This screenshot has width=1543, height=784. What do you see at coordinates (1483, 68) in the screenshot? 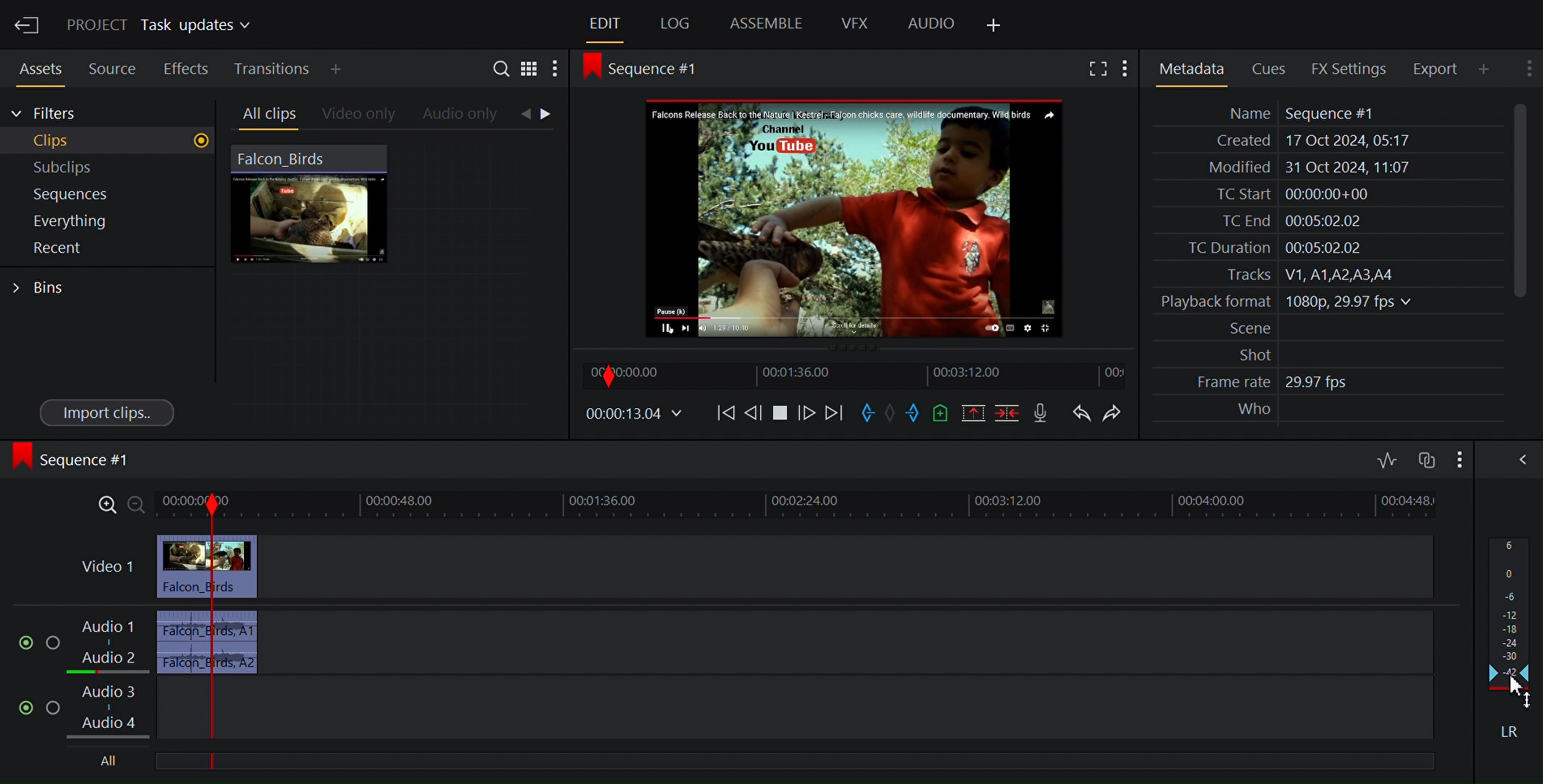
I see `Add Panel` at bounding box center [1483, 68].